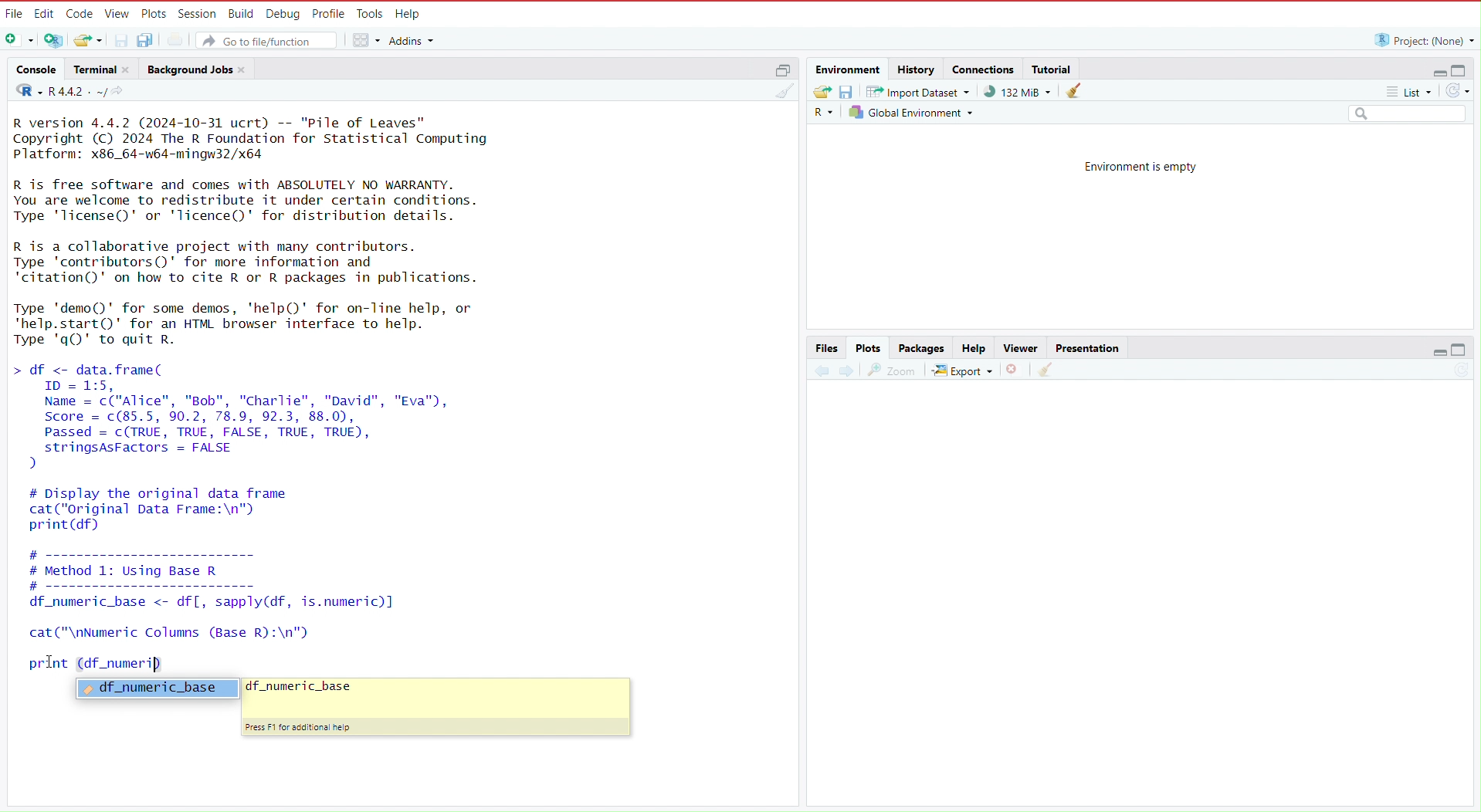 The image size is (1481, 812). Describe the element at coordinates (252, 538) in the screenshot. I see `# Display the original data framecat("original Data Frame:\n")print (df)  # ----------------------  # Method 1: Using Base R  #------------------` at that location.